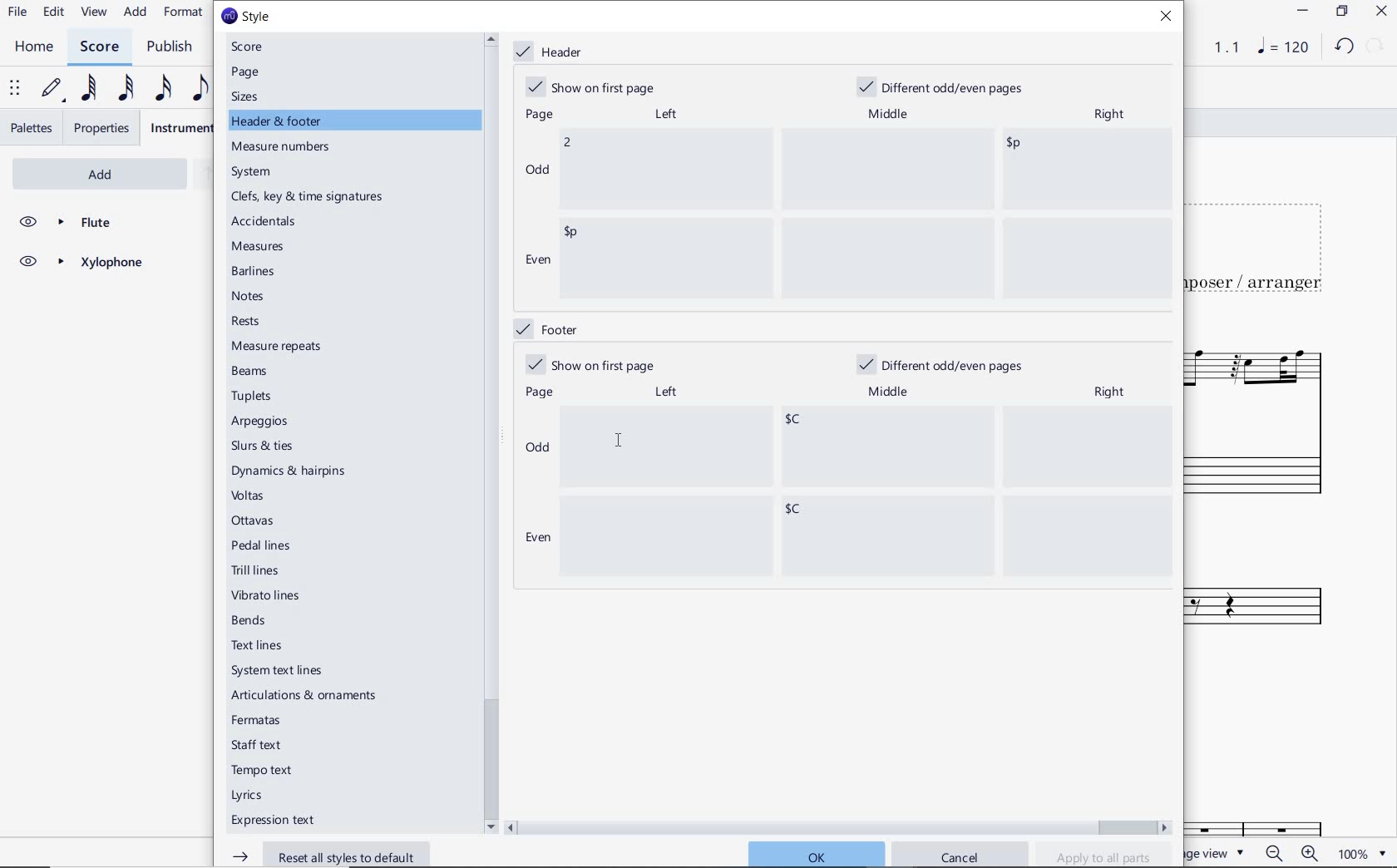 Image resolution: width=1397 pixels, height=868 pixels. What do you see at coordinates (590, 364) in the screenshot?
I see `show on first page` at bounding box center [590, 364].